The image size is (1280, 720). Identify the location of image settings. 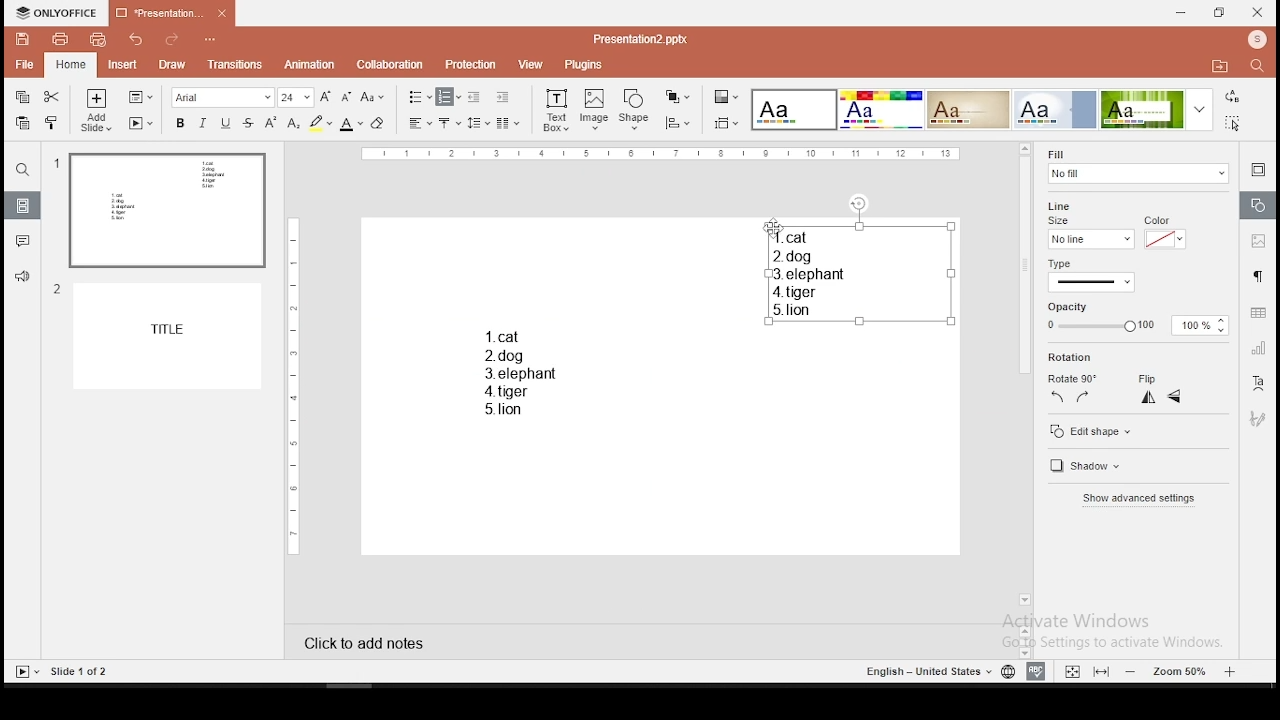
(1258, 240).